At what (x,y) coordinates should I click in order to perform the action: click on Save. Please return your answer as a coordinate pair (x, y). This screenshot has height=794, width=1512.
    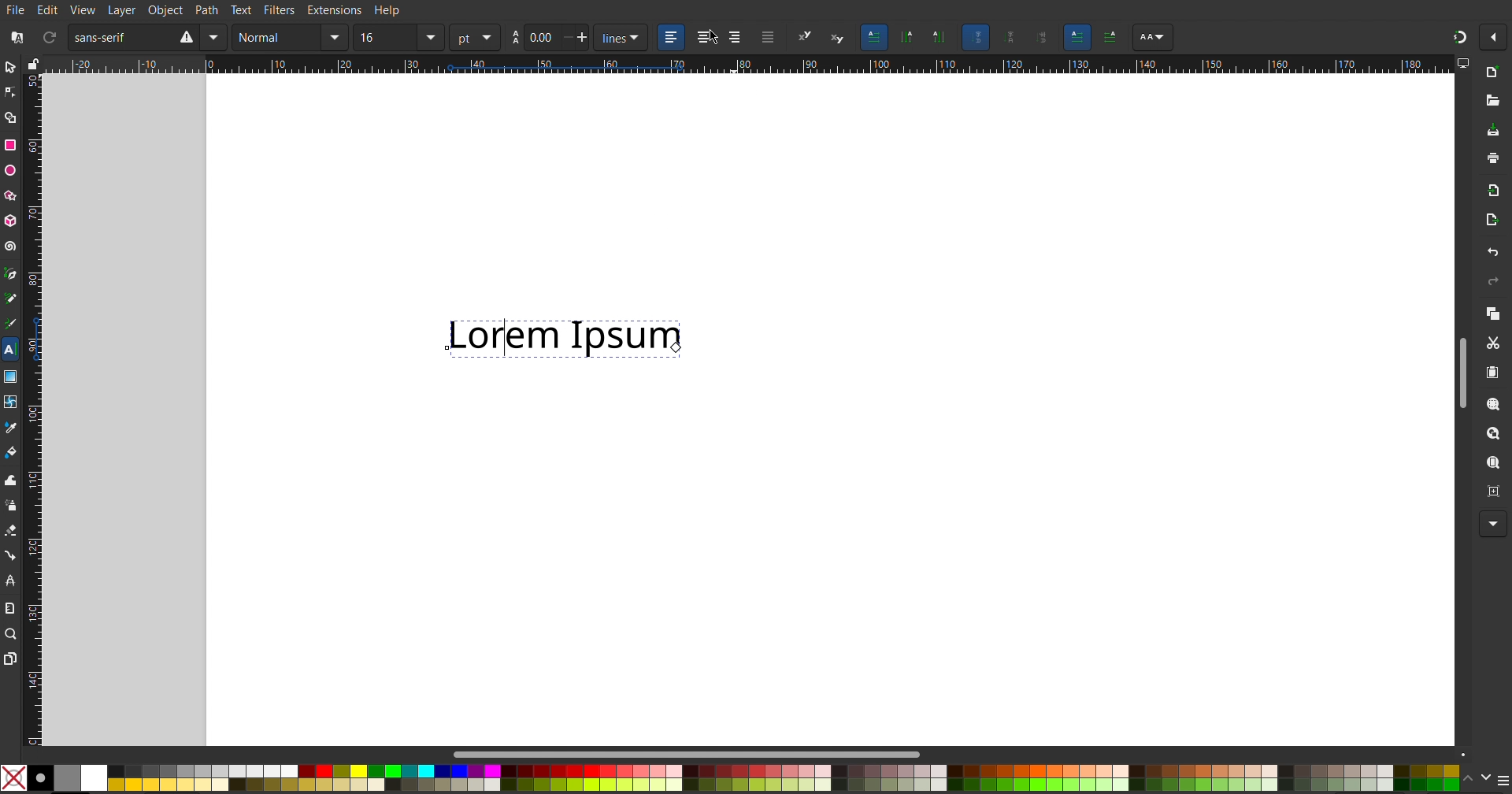
    Looking at the image, I should click on (1495, 130).